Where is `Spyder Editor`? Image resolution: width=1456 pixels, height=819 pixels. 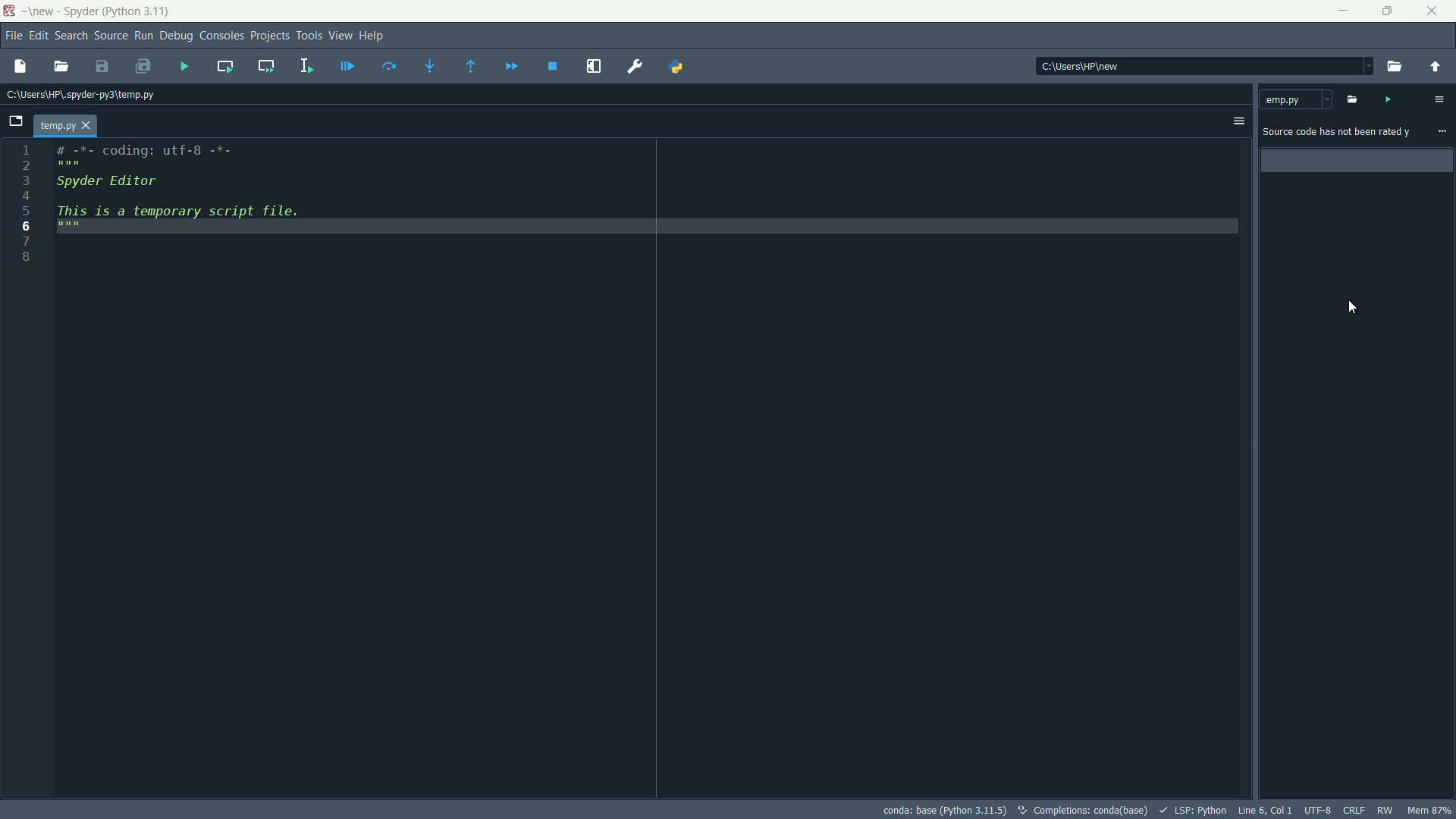
Spyder Editor is located at coordinates (104, 183).